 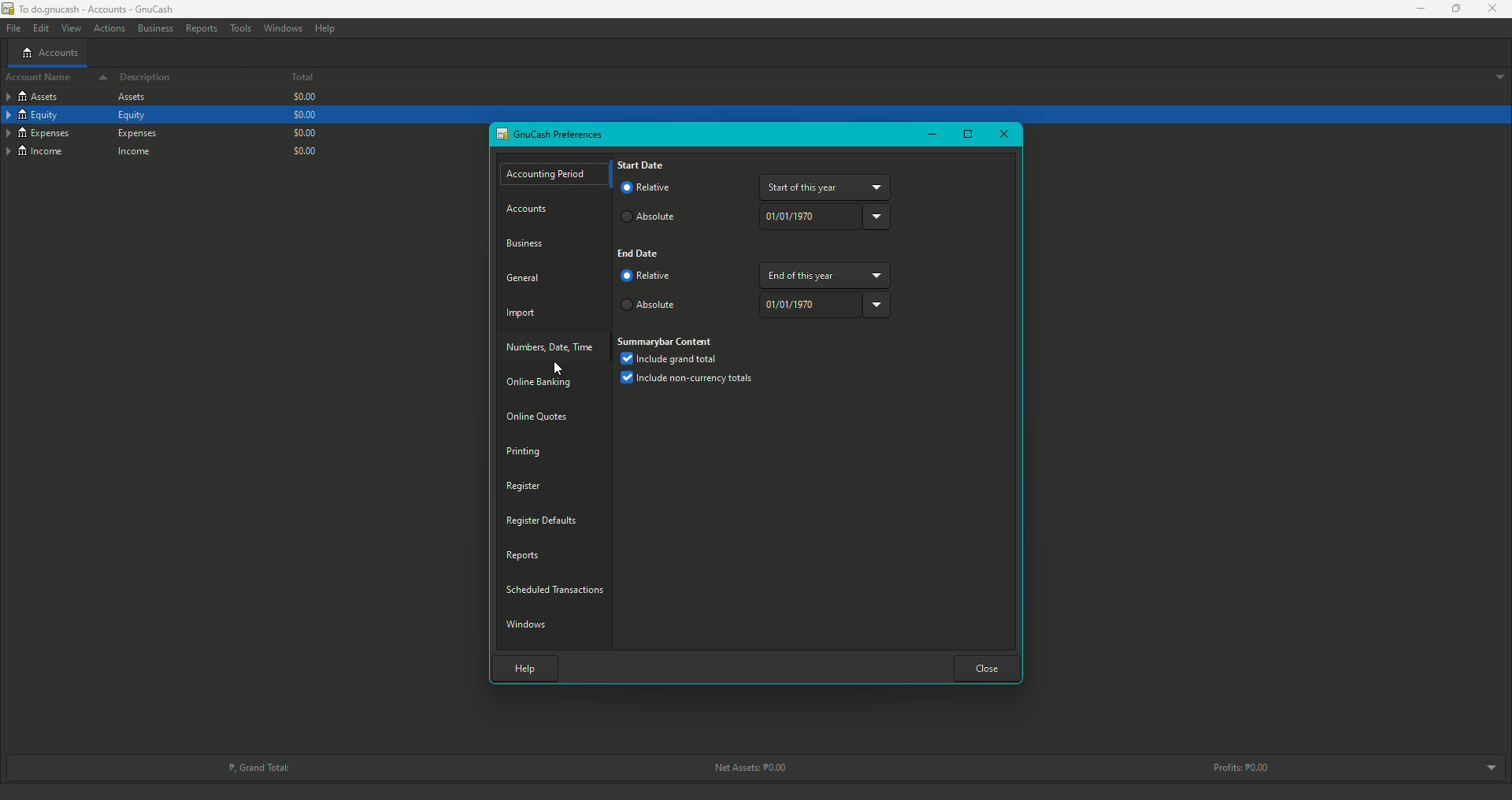 What do you see at coordinates (308, 150) in the screenshot?
I see `$0` at bounding box center [308, 150].